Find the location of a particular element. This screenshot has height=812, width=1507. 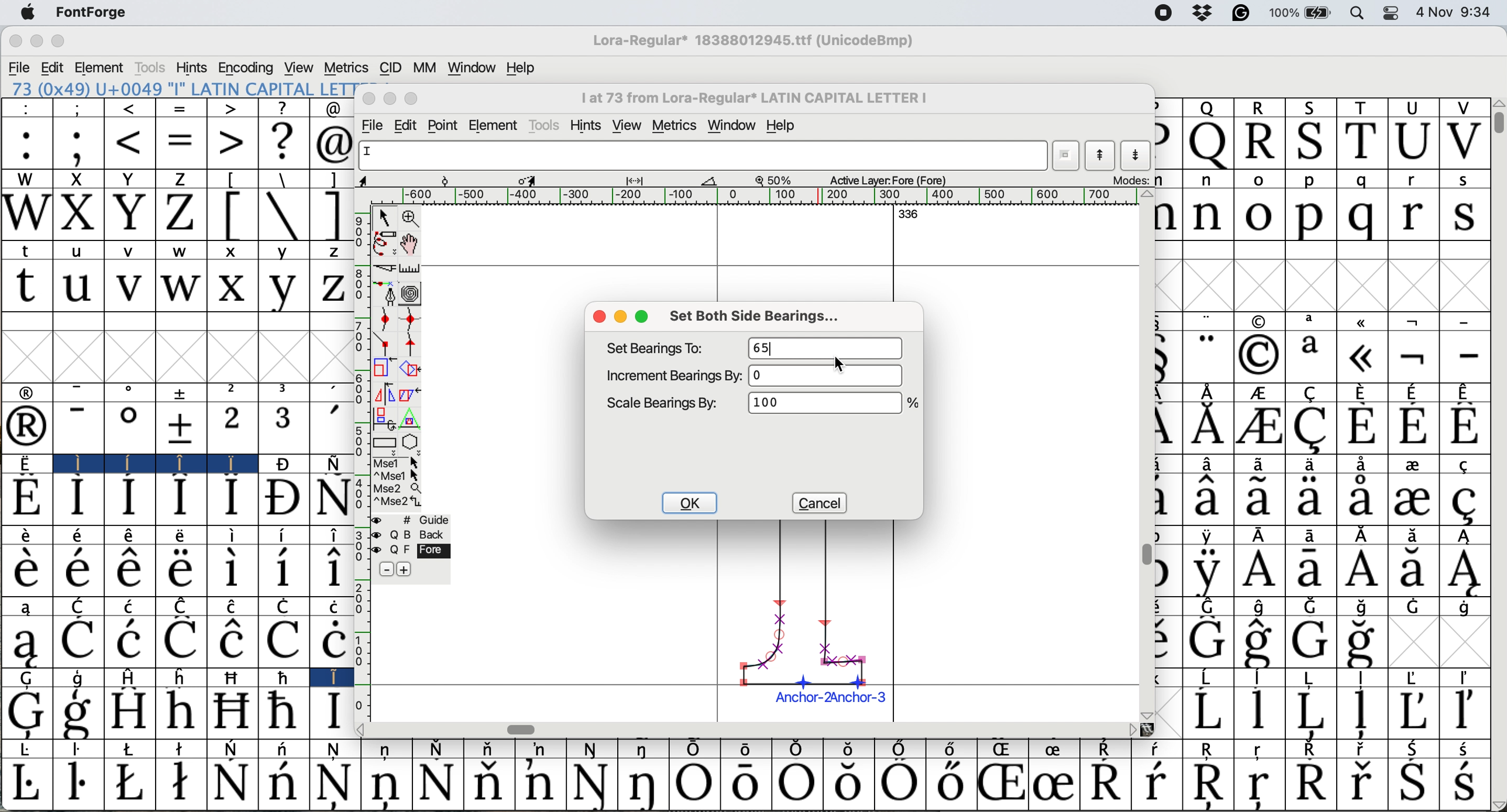

zoom scale is located at coordinates (777, 181).